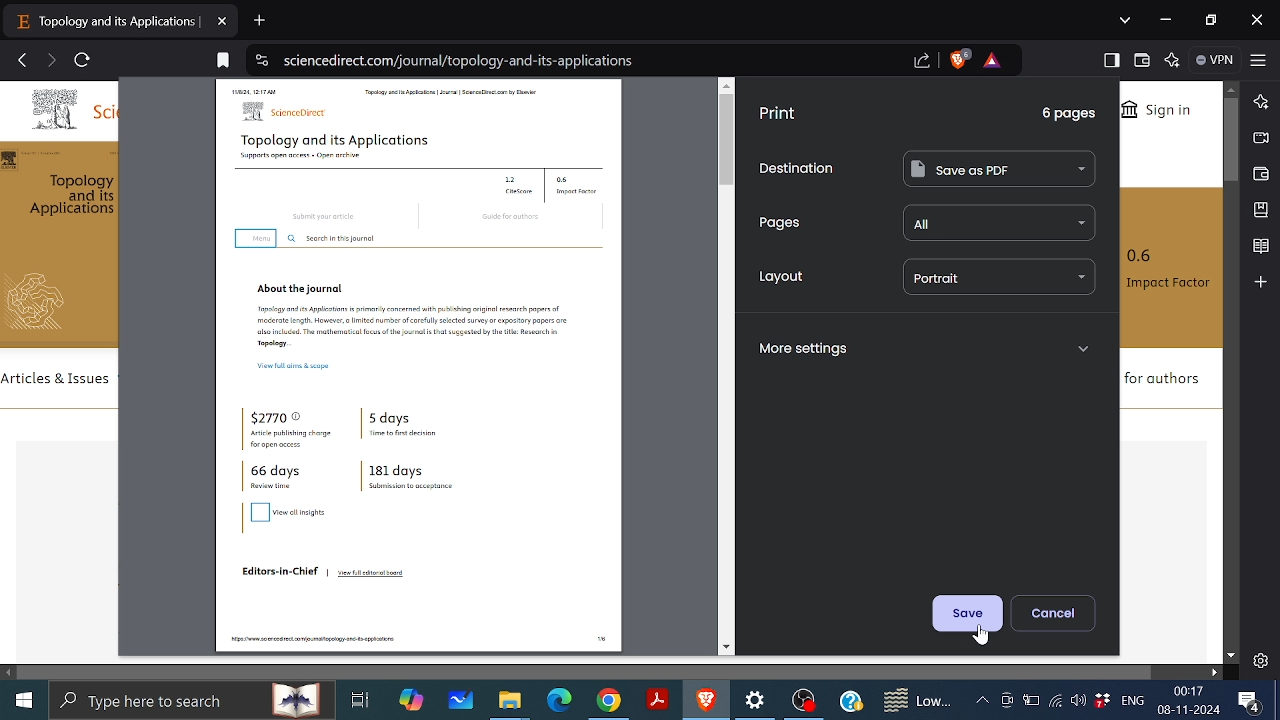 The height and width of the screenshot is (720, 1280). Describe the element at coordinates (347, 240) in the screenshot. I see `Search in this journal` at that location.